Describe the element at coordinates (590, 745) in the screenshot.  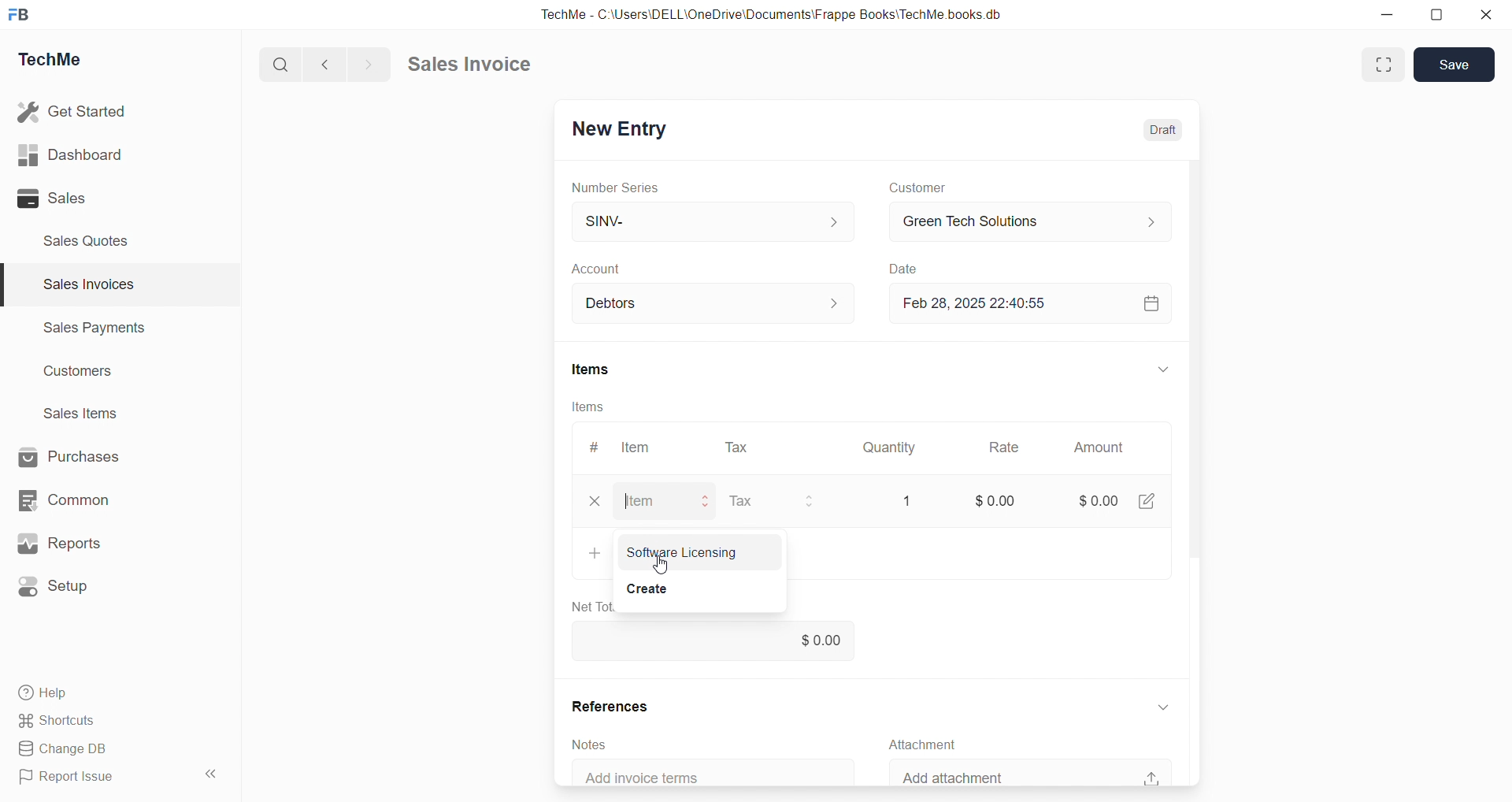
I see `Notes` at that location.